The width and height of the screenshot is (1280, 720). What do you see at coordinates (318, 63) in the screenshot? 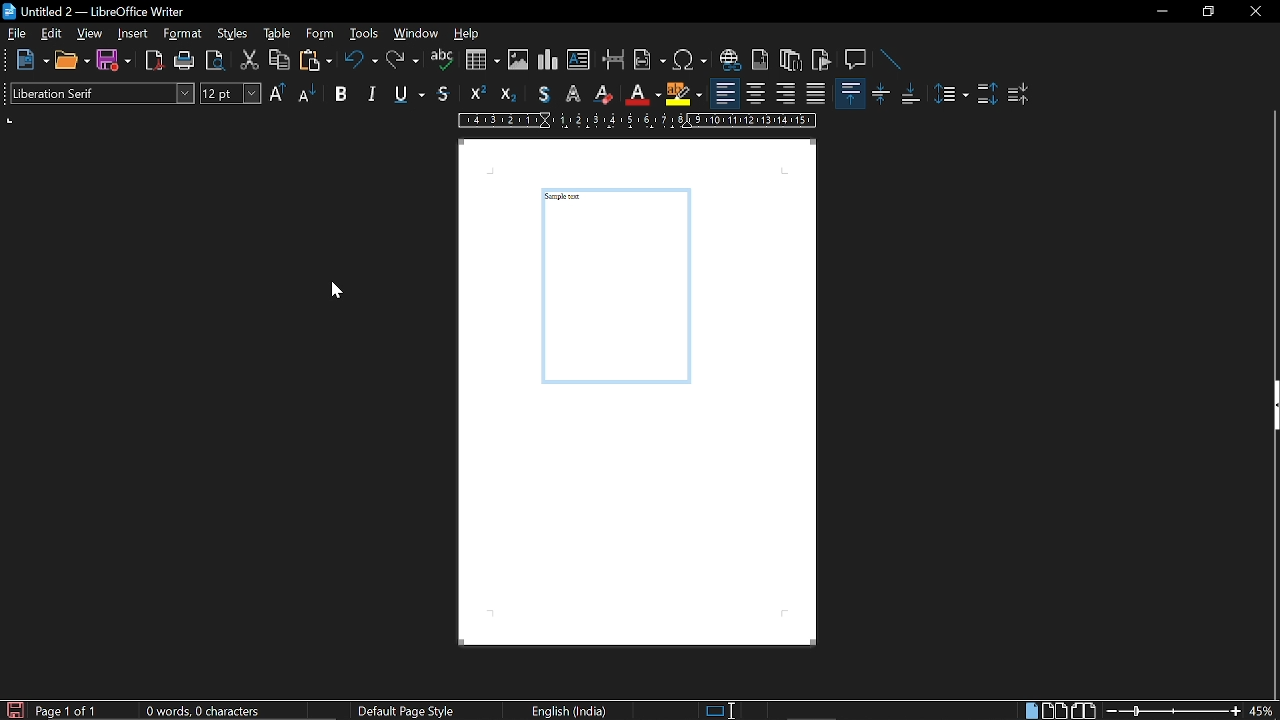
I see `paste` at bounding box center [318, 63].